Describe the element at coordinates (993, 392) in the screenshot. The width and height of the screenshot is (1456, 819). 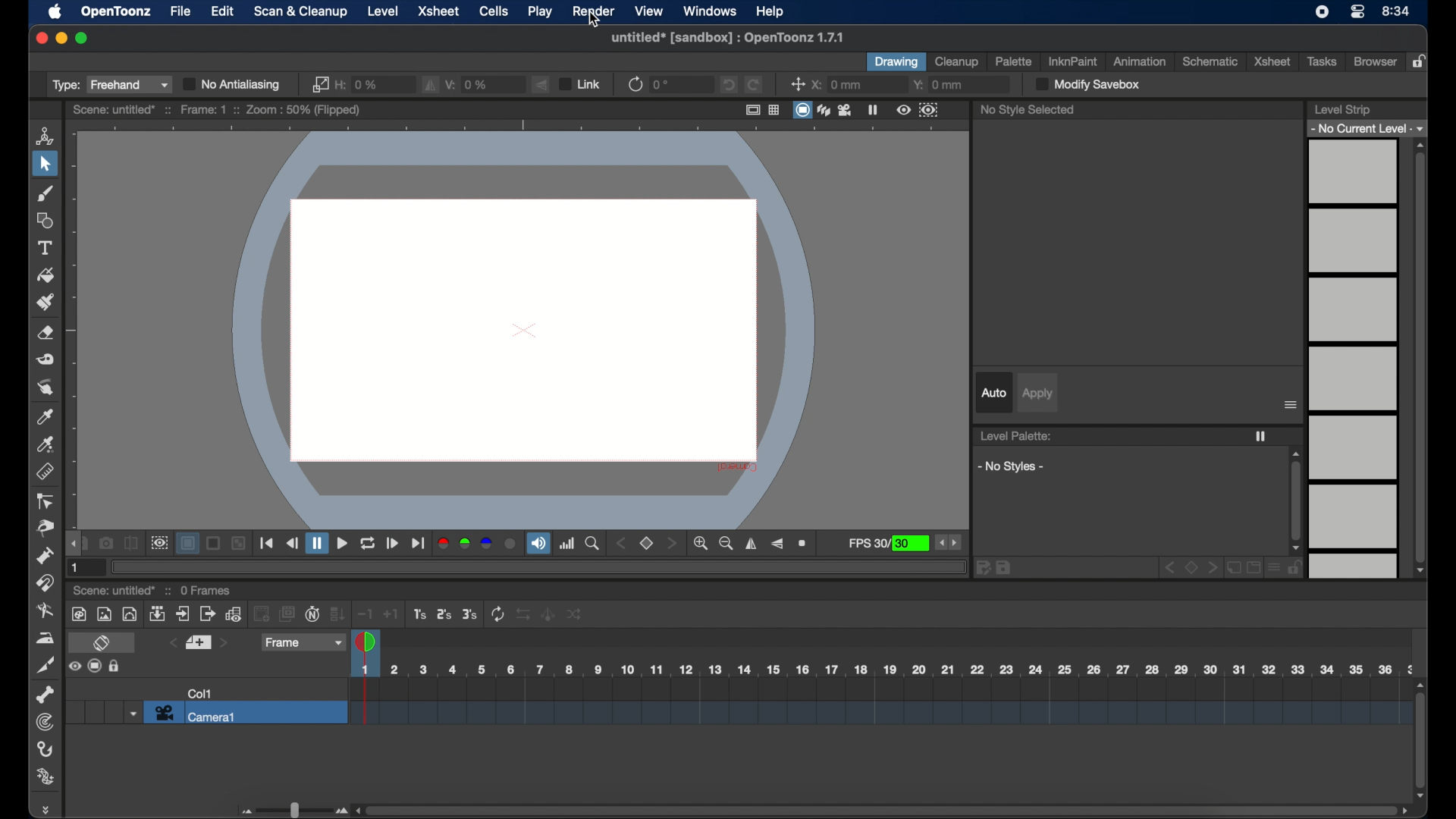
I see `auto` at that location.